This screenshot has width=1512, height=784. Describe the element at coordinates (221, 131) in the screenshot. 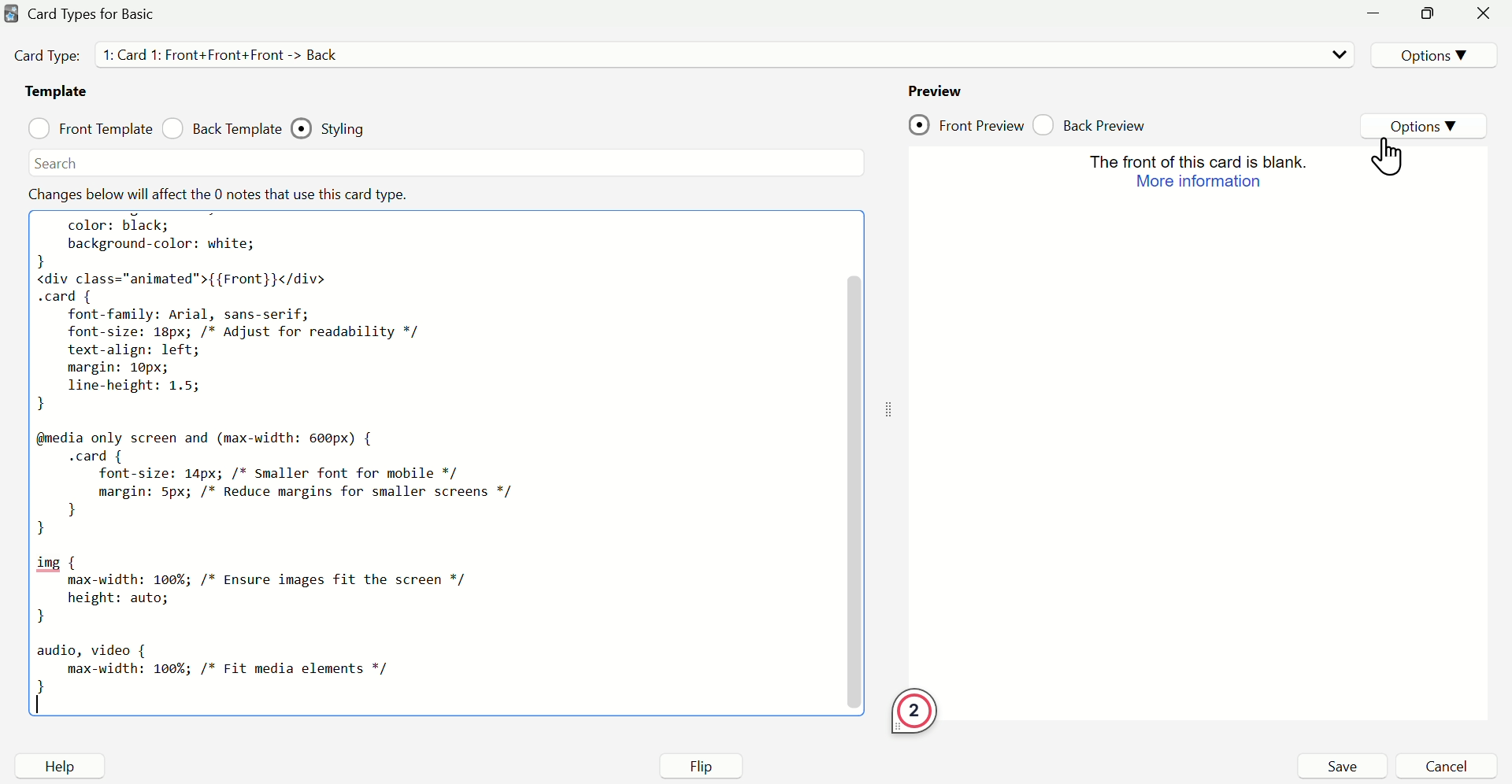

I see `Back Template` at that location.